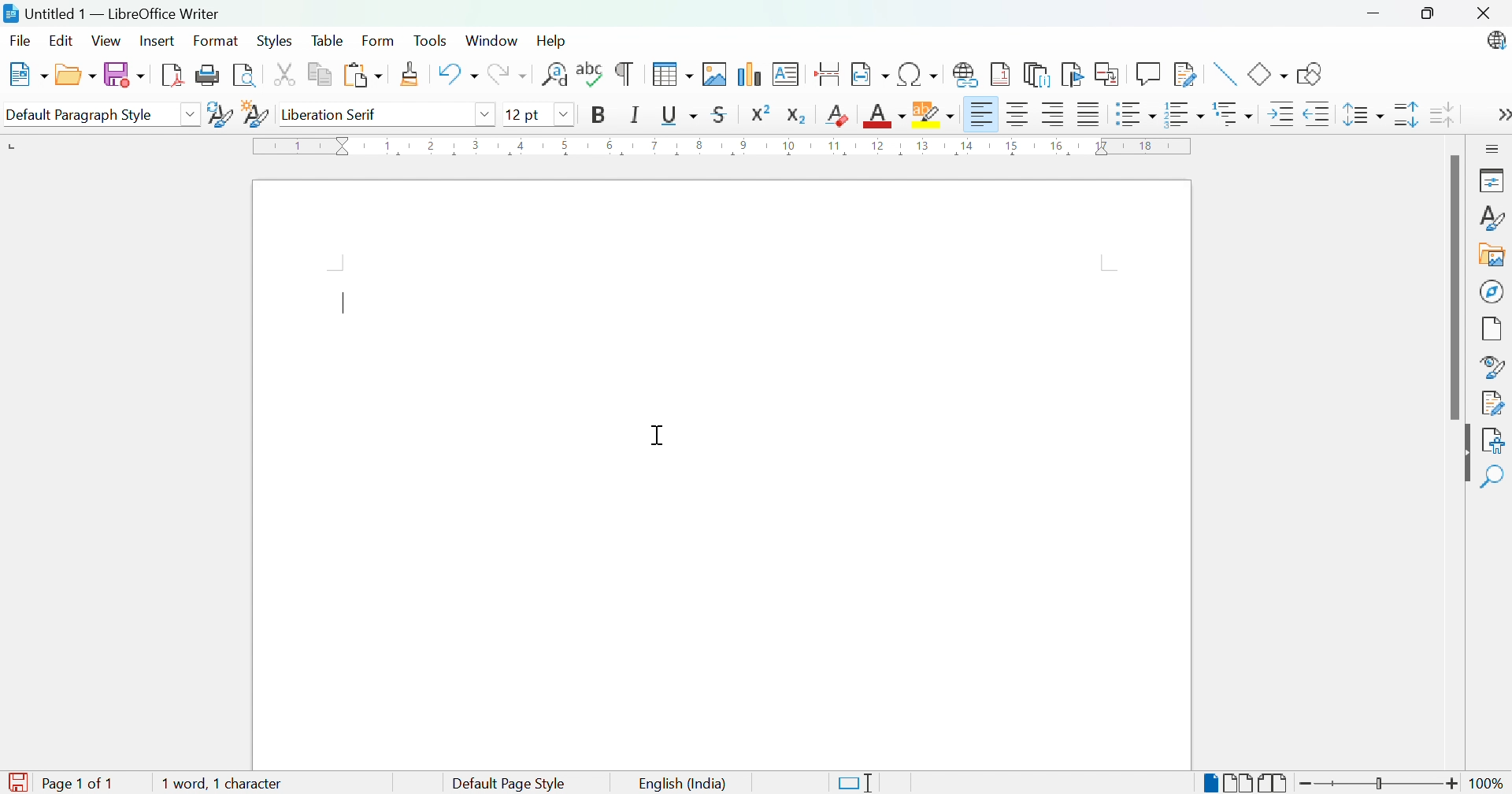 The height and width of the screenshot is (794, 1512). Describe the element at coordinates (674, 73) in the screenshot. I see `Insert table` at that location.